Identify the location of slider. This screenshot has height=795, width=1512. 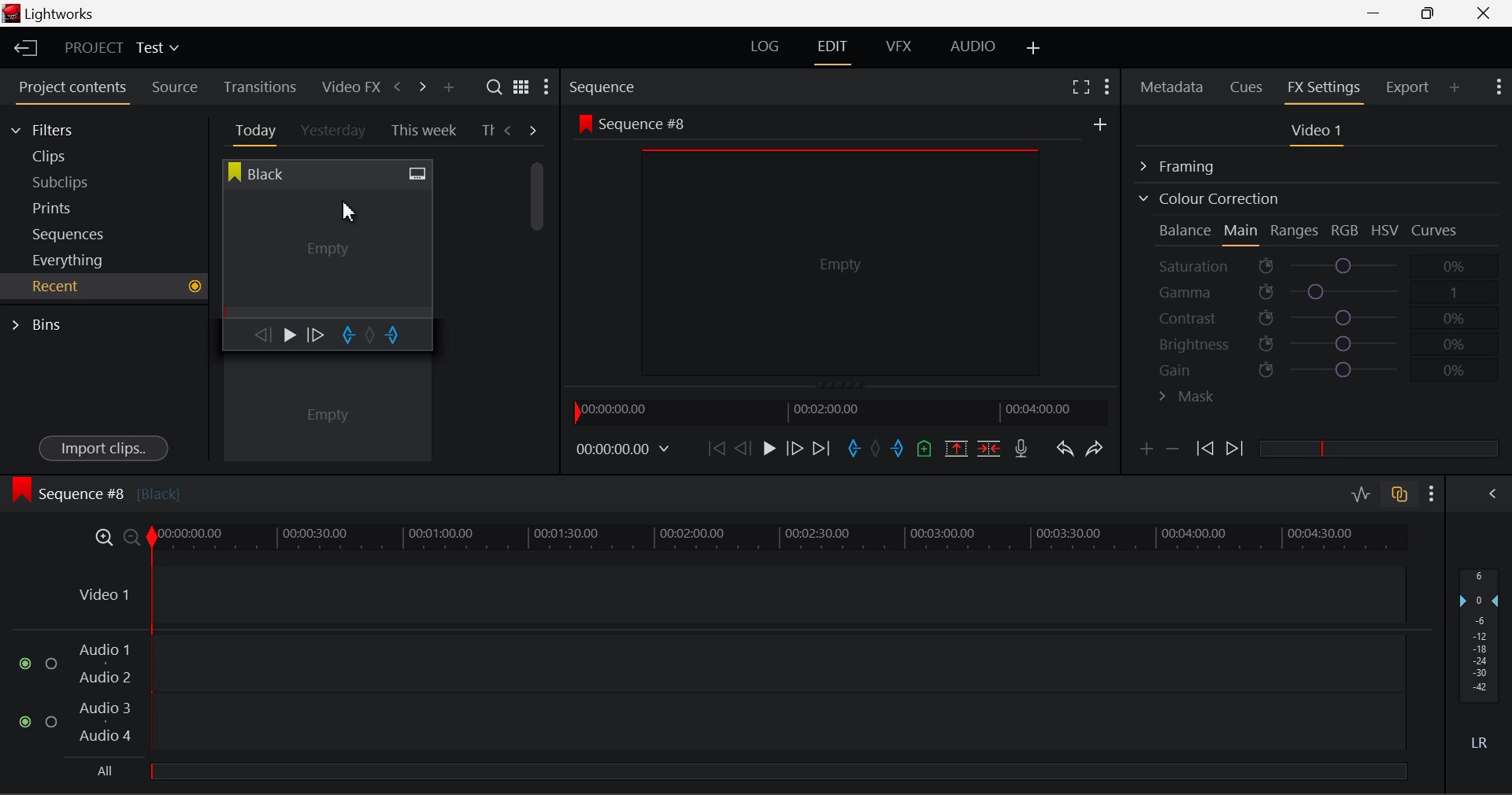
(777, 771).